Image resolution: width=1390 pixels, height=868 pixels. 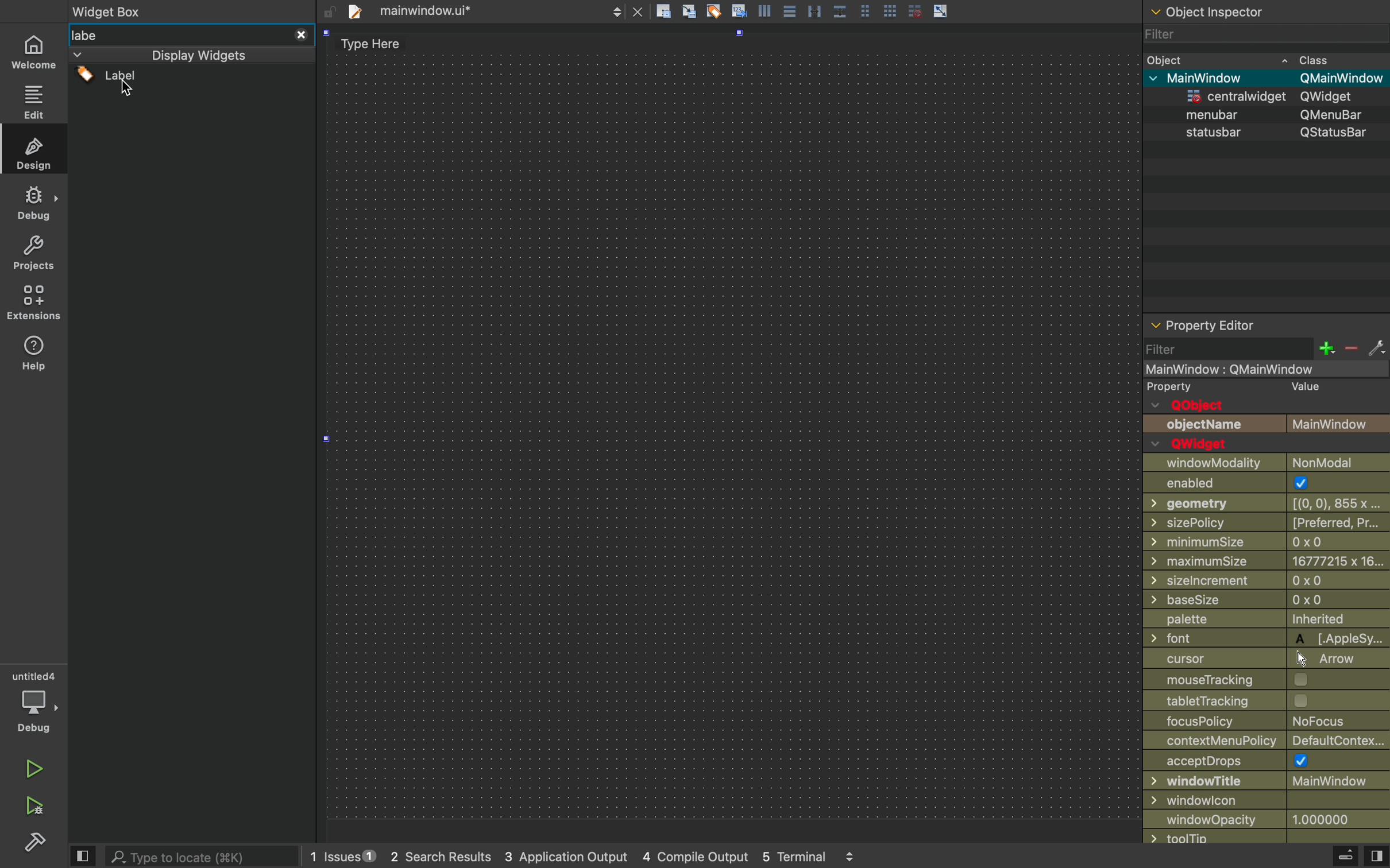 I want to click on logs, so click(x=609, y=858).